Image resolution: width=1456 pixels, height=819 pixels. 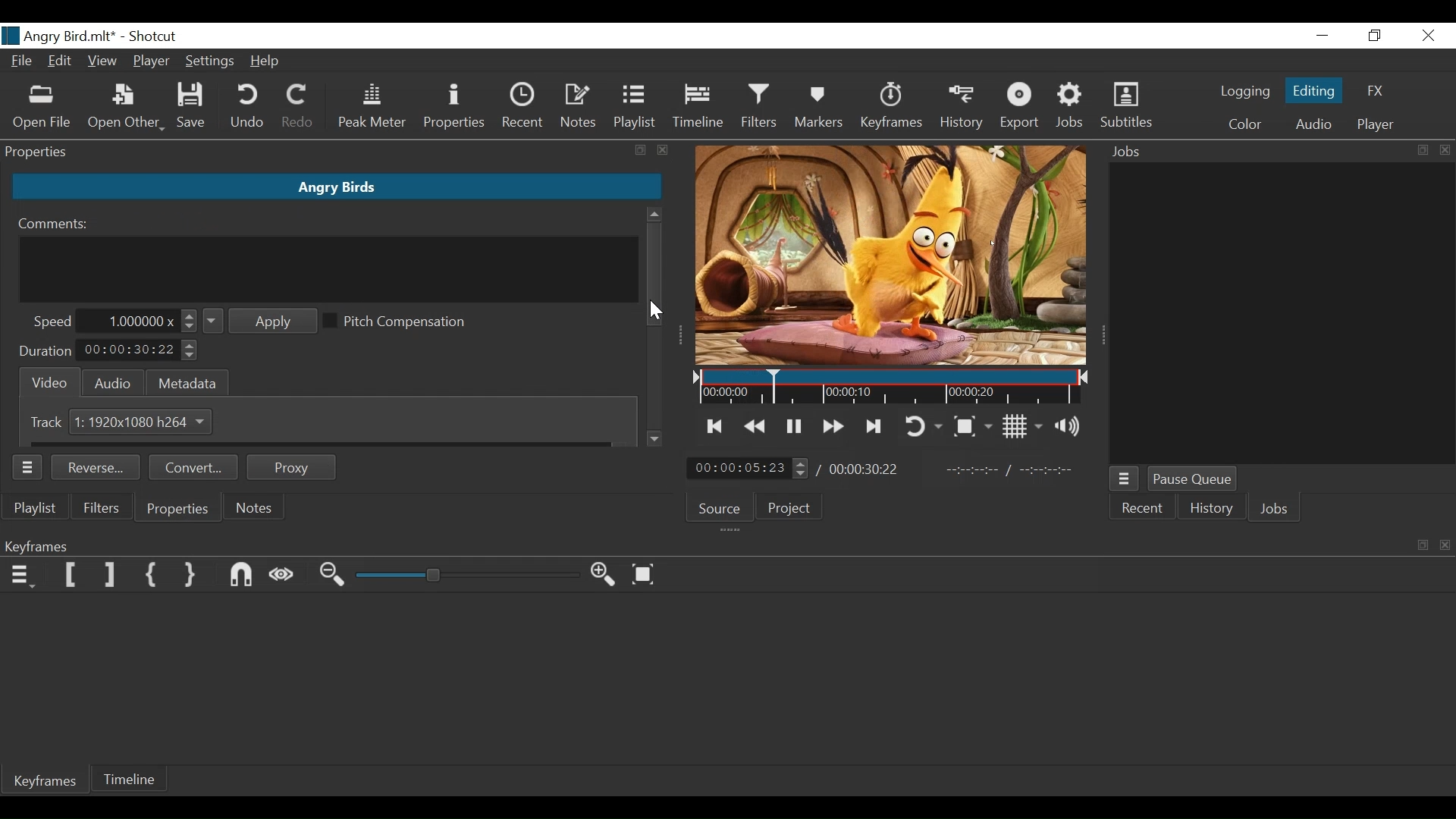 What do you see at coordinates (251, 507) in the screenshot?
I see `Notes` at bounding box center [251, 507].